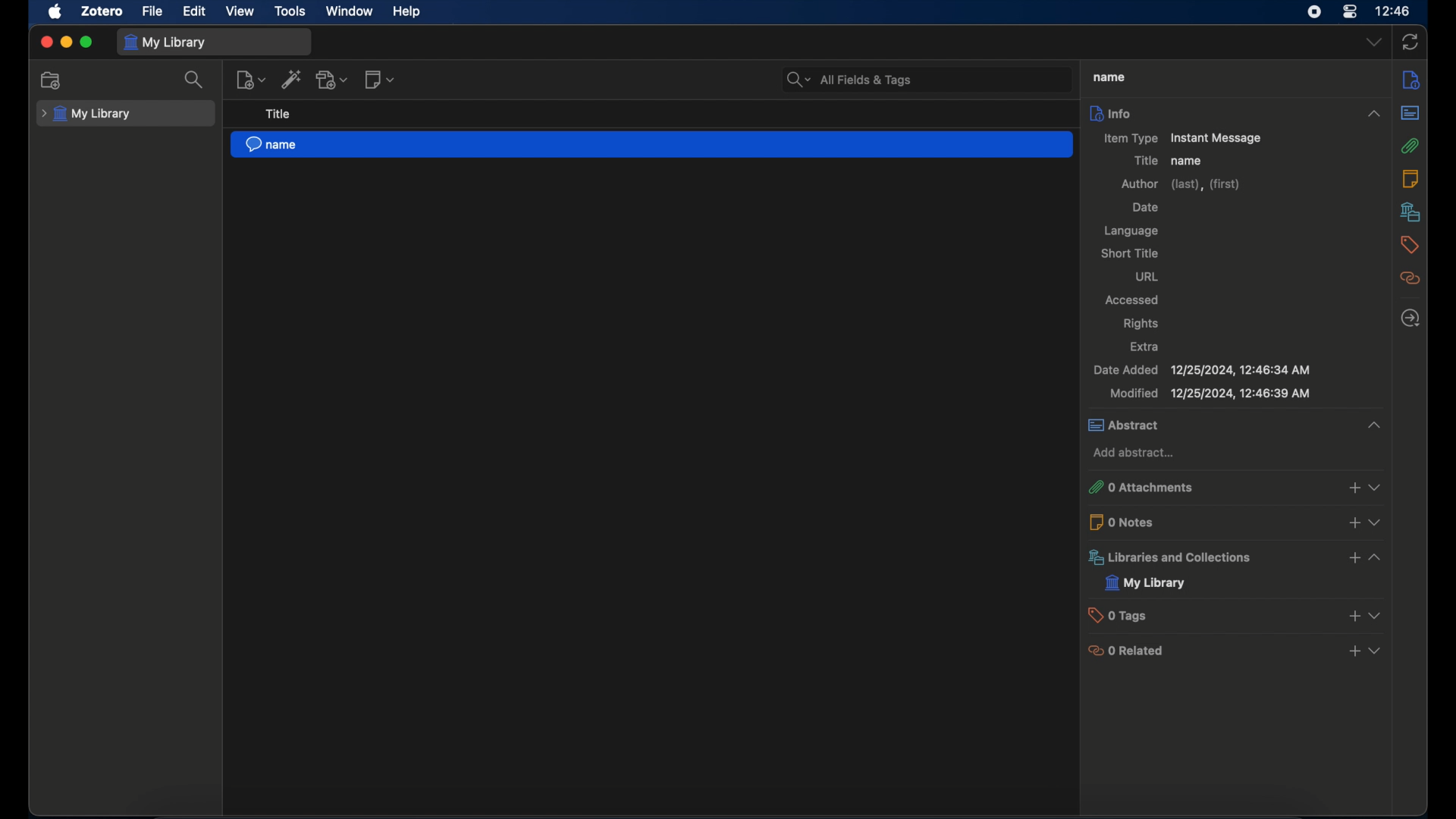  I want to click on add item by identifier, so click(292, 80).